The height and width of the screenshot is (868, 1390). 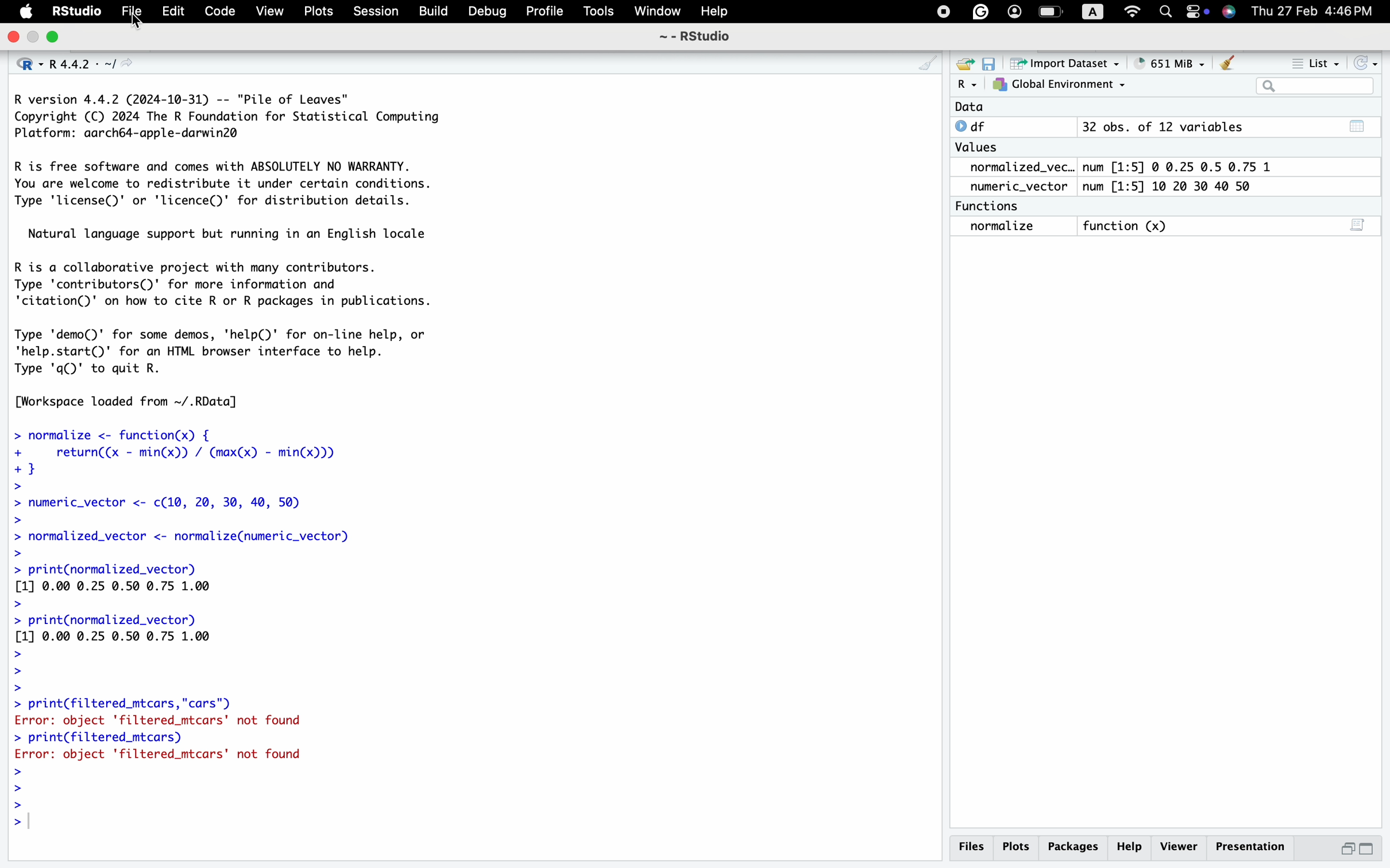 What do you see at coordinates (126, 13) in the screenshot?
I see `File` at bounding box center [126, 13].